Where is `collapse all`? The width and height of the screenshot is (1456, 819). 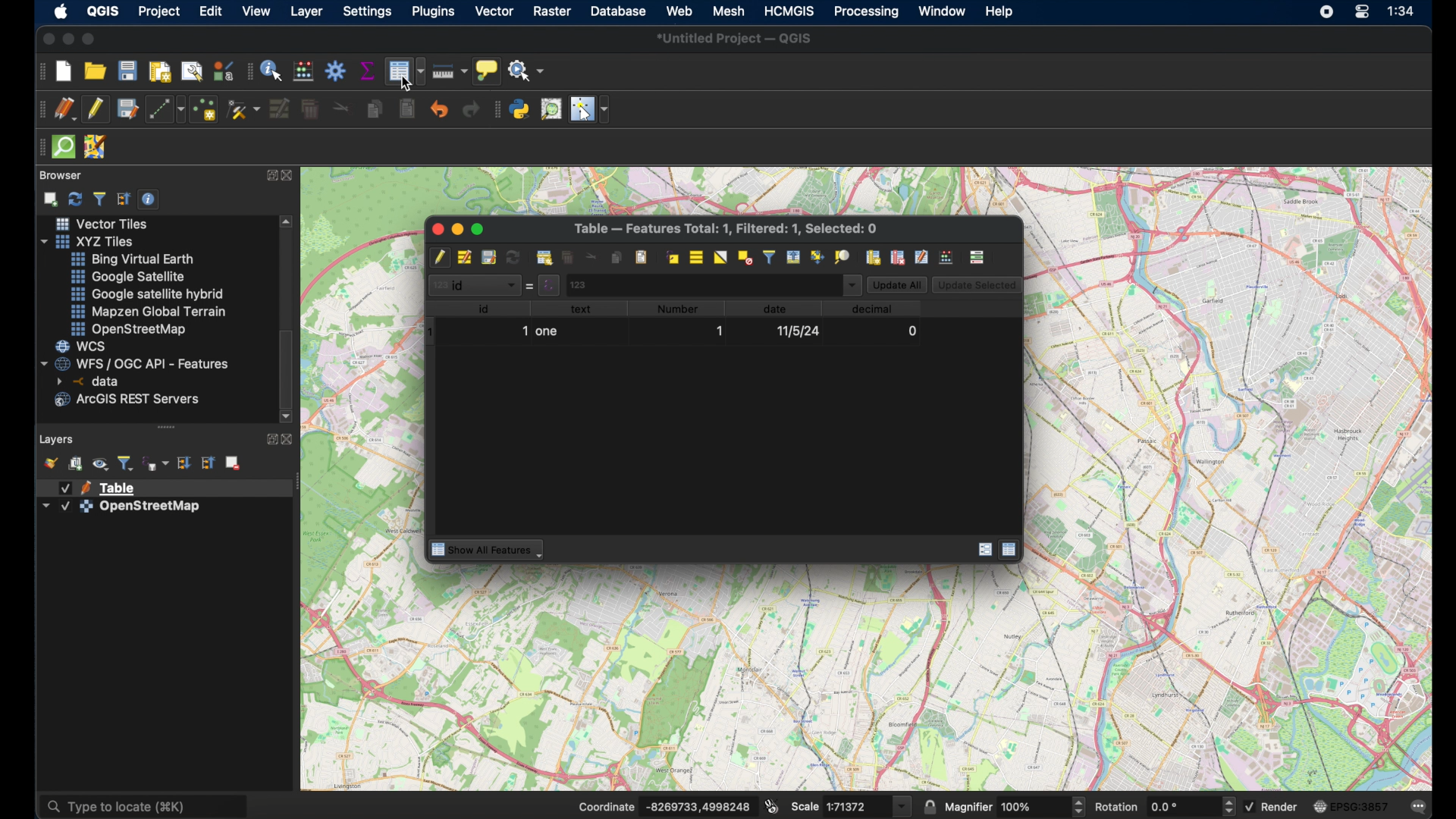 collapse all is located at coordinates (208, 463).